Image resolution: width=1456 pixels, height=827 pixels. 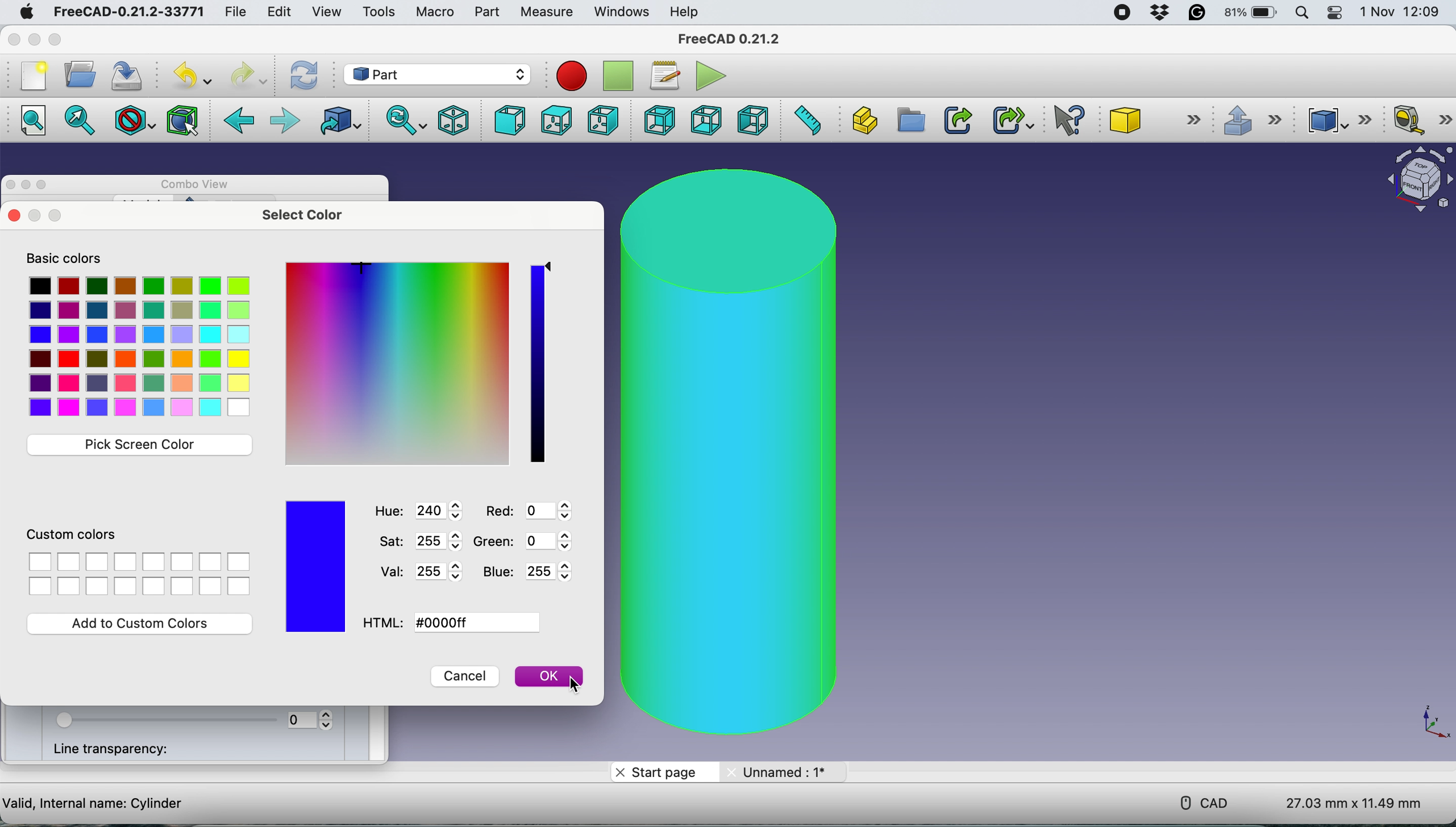 What do you see at coordinates (438, 13) in the screenshot?
I see `macro` at bounding box center [438, 13].